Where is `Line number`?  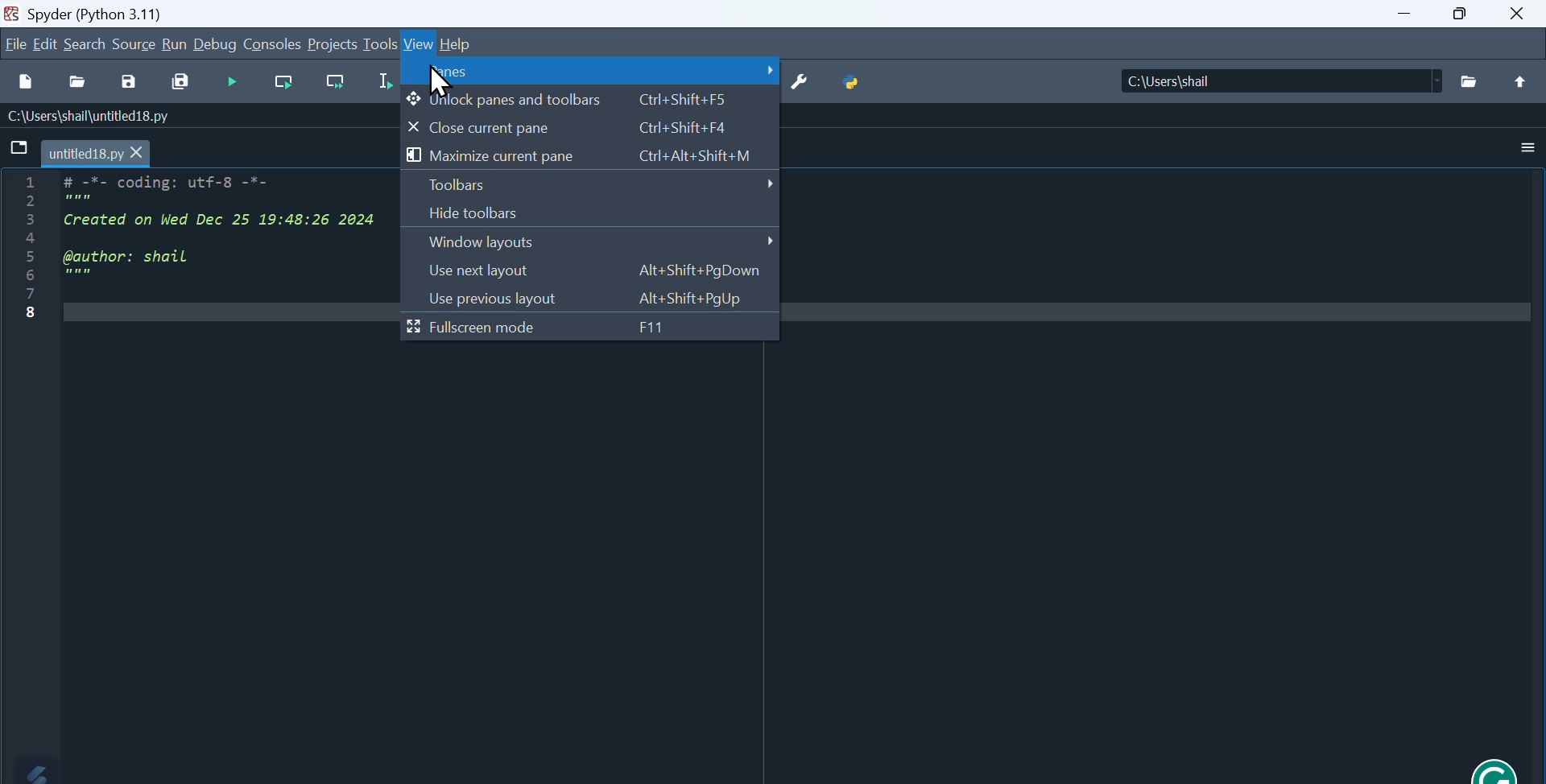 Line number is located at coordinates (27, 247).